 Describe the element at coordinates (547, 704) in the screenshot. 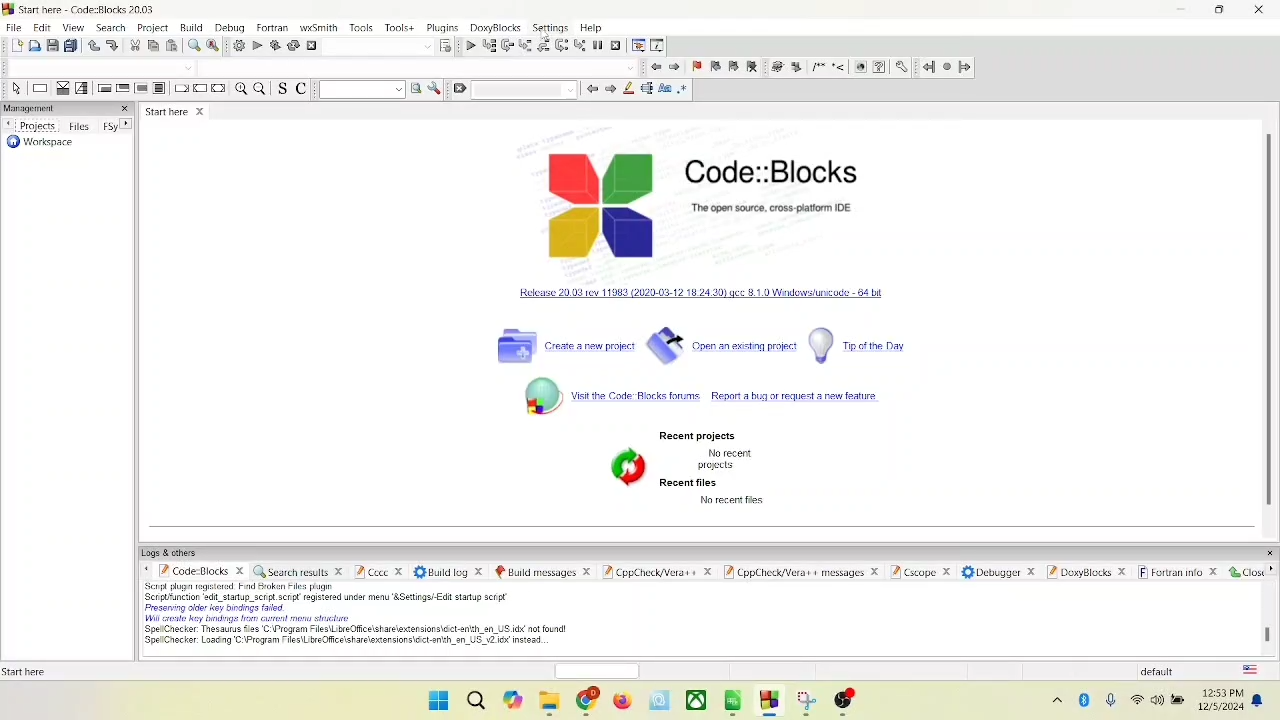

I see `folder` at that location.